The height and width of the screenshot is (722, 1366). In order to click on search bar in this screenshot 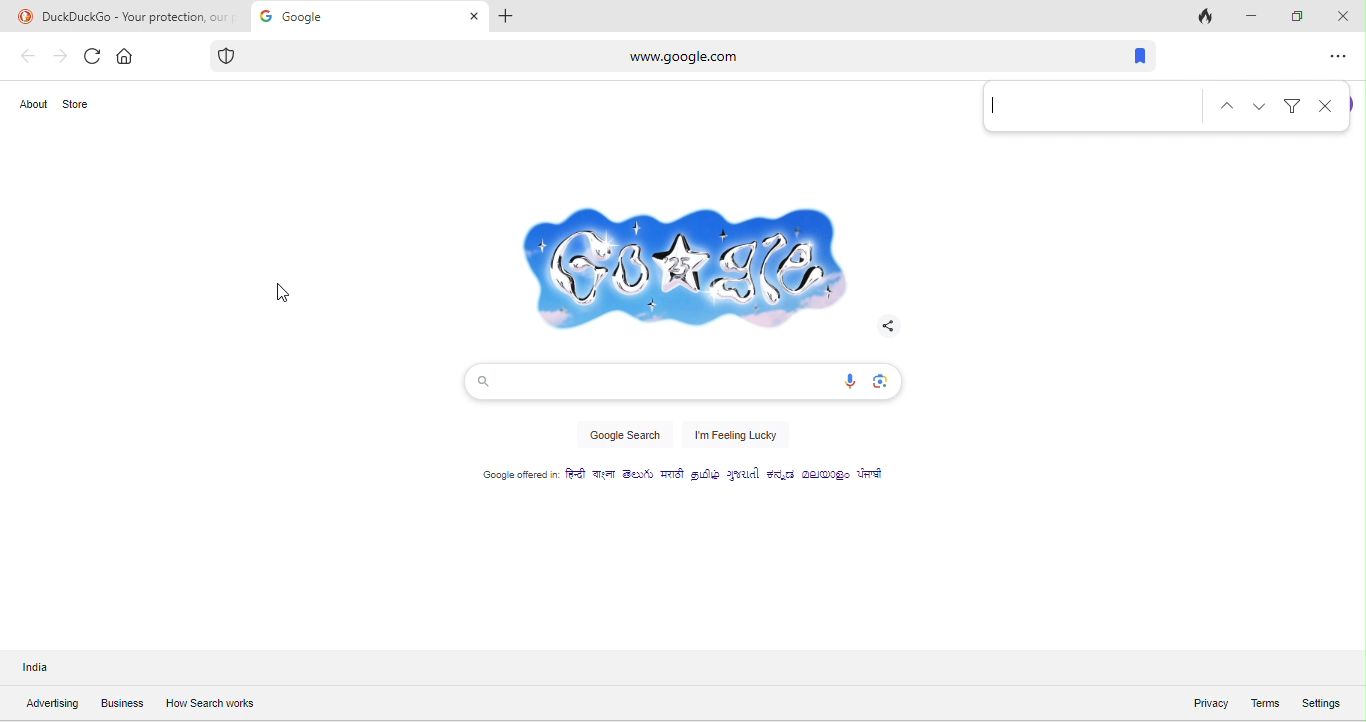, I will do `click(680, 381)`.